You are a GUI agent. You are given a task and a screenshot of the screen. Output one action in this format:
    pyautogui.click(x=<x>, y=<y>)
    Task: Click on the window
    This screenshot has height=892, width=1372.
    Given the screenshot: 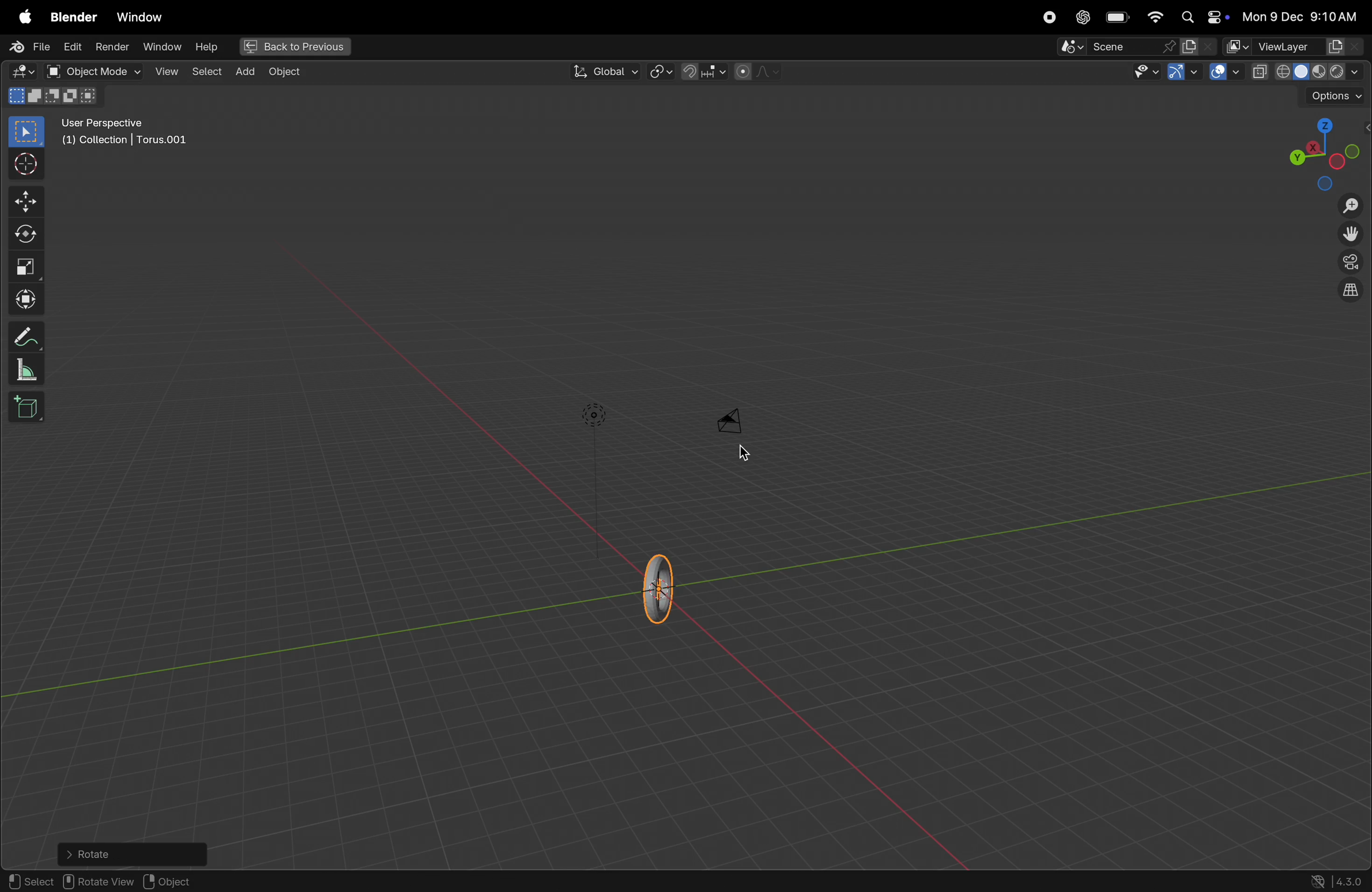 What is the action you would take?
    pyautogui.click(x=139, y=17)
    